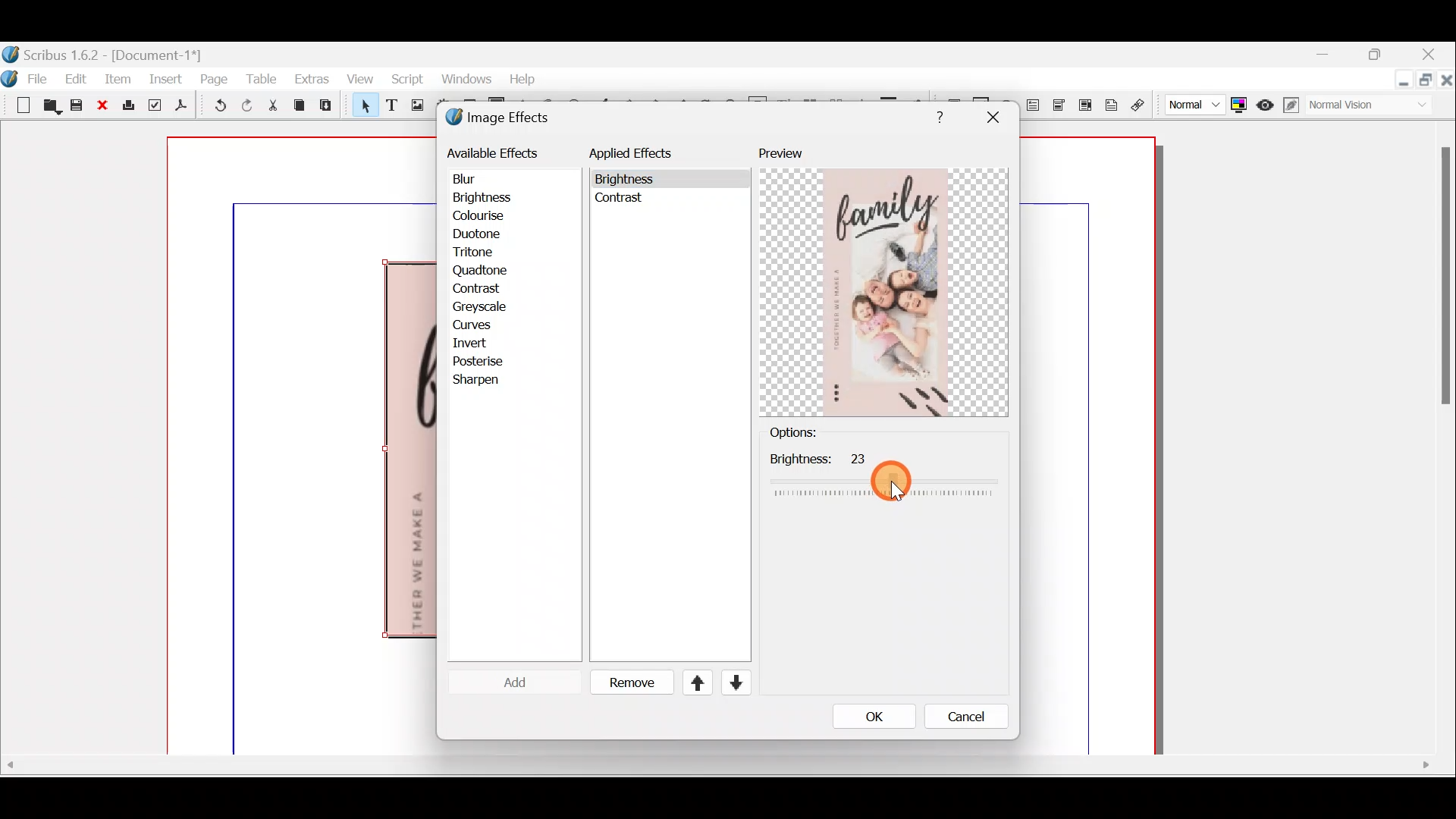 The height and width of the screenshot is (819, 1456). I want to click on canvas, so click(1089, 447).